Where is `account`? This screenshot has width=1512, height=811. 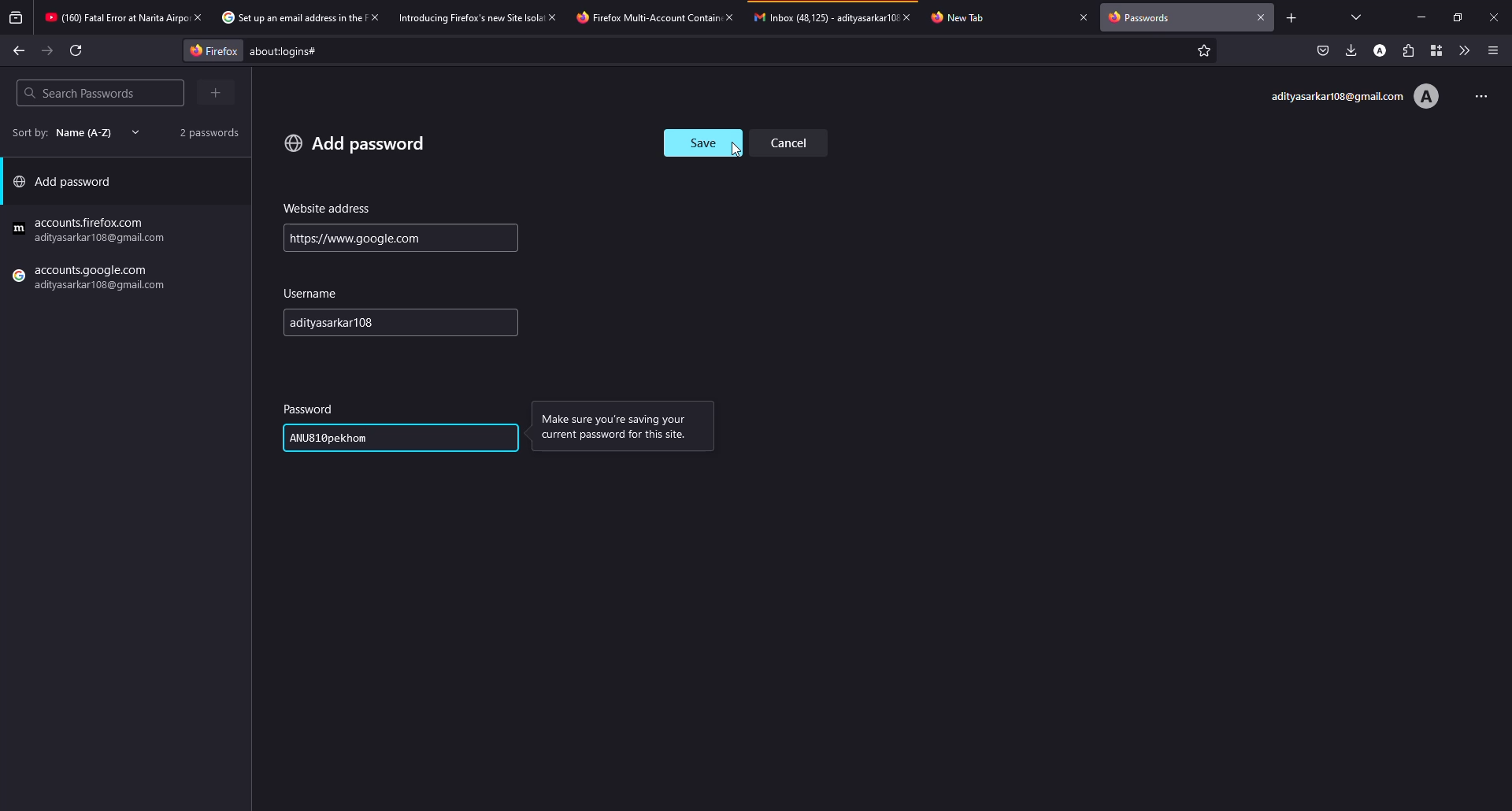
account is located at coordinates (1382, 50).